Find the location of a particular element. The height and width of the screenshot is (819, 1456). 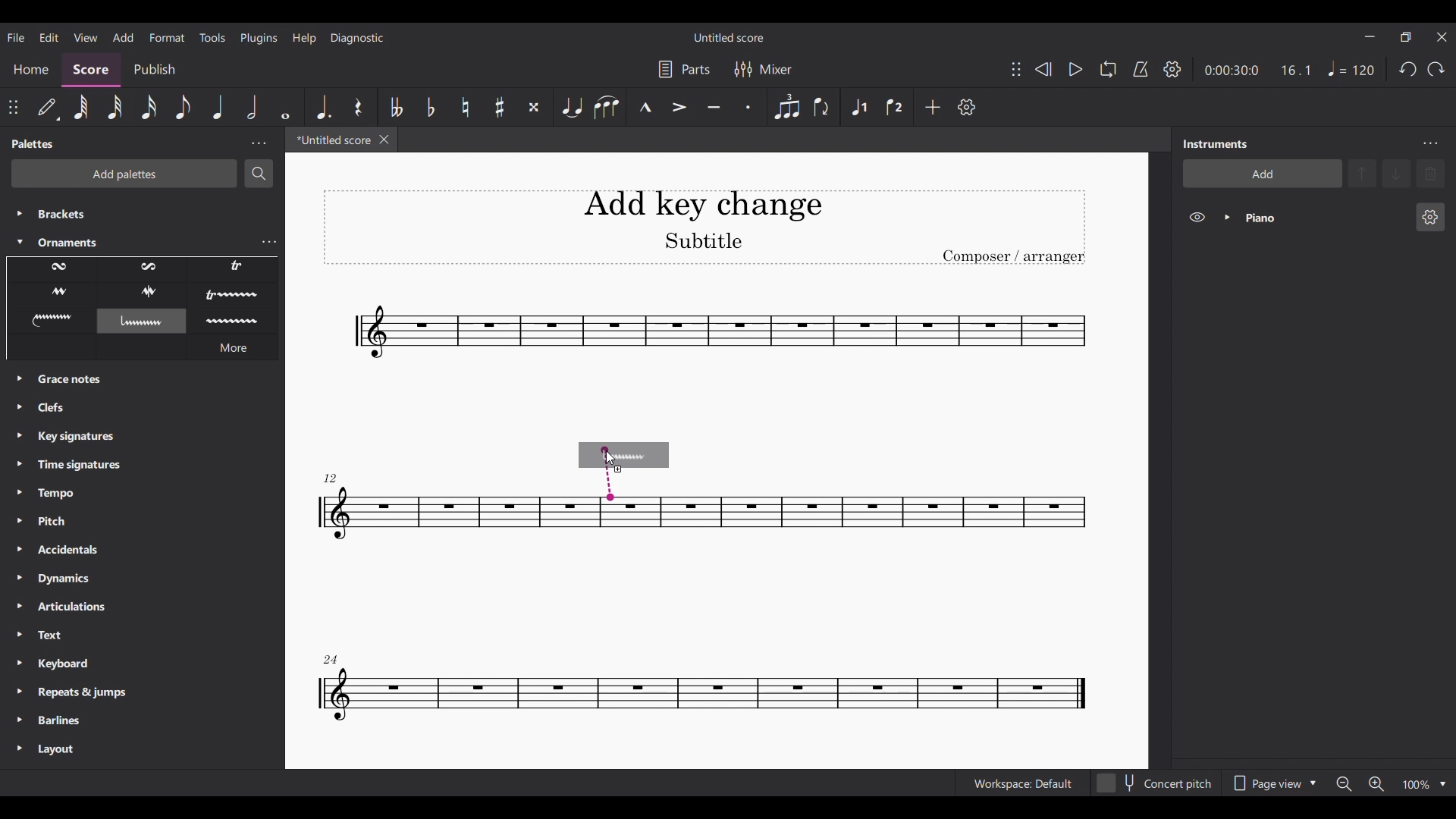

Toggle natural is located at coordinates (463, 108).